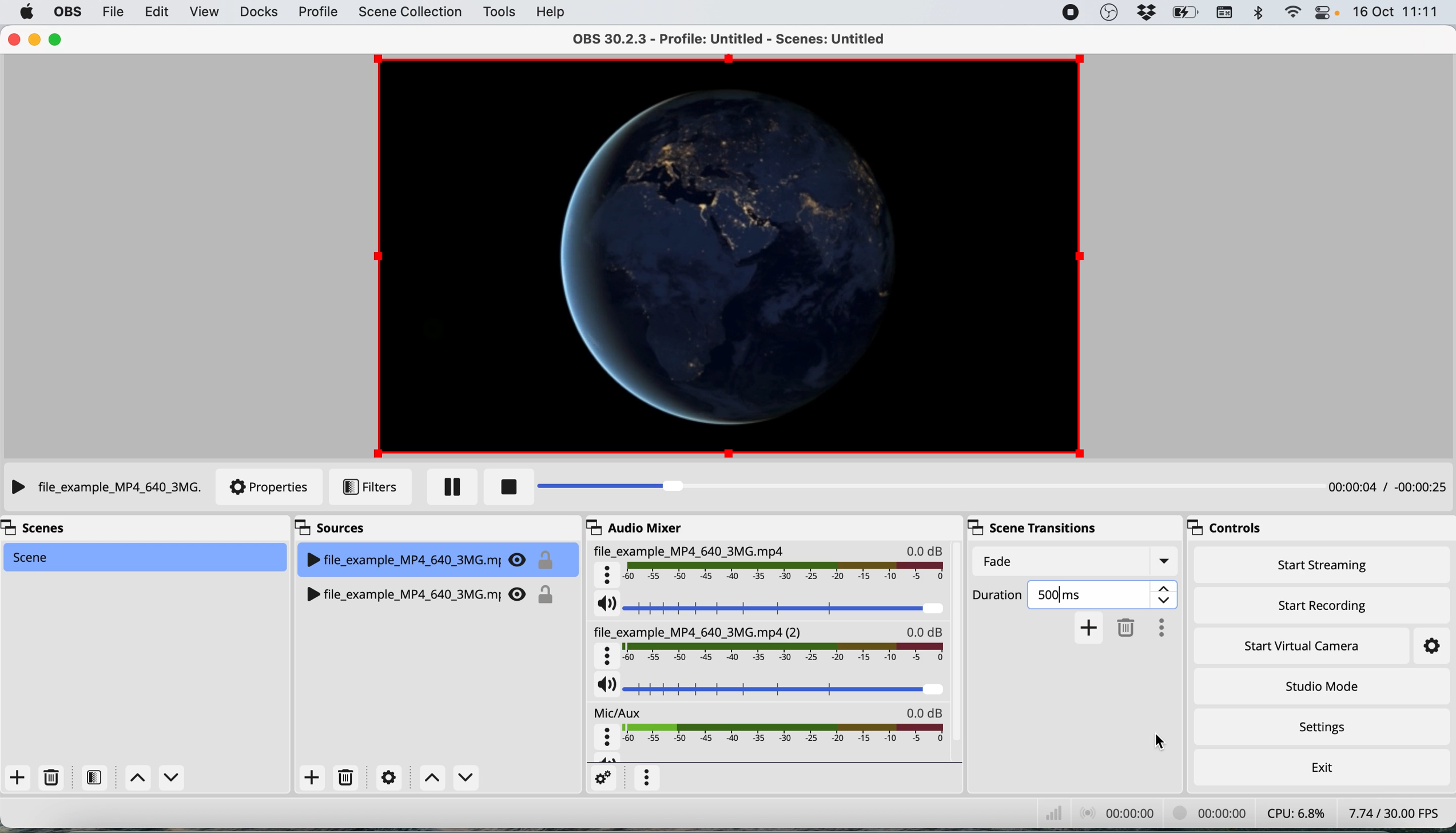  I want to click on properties, so click(270, 487).